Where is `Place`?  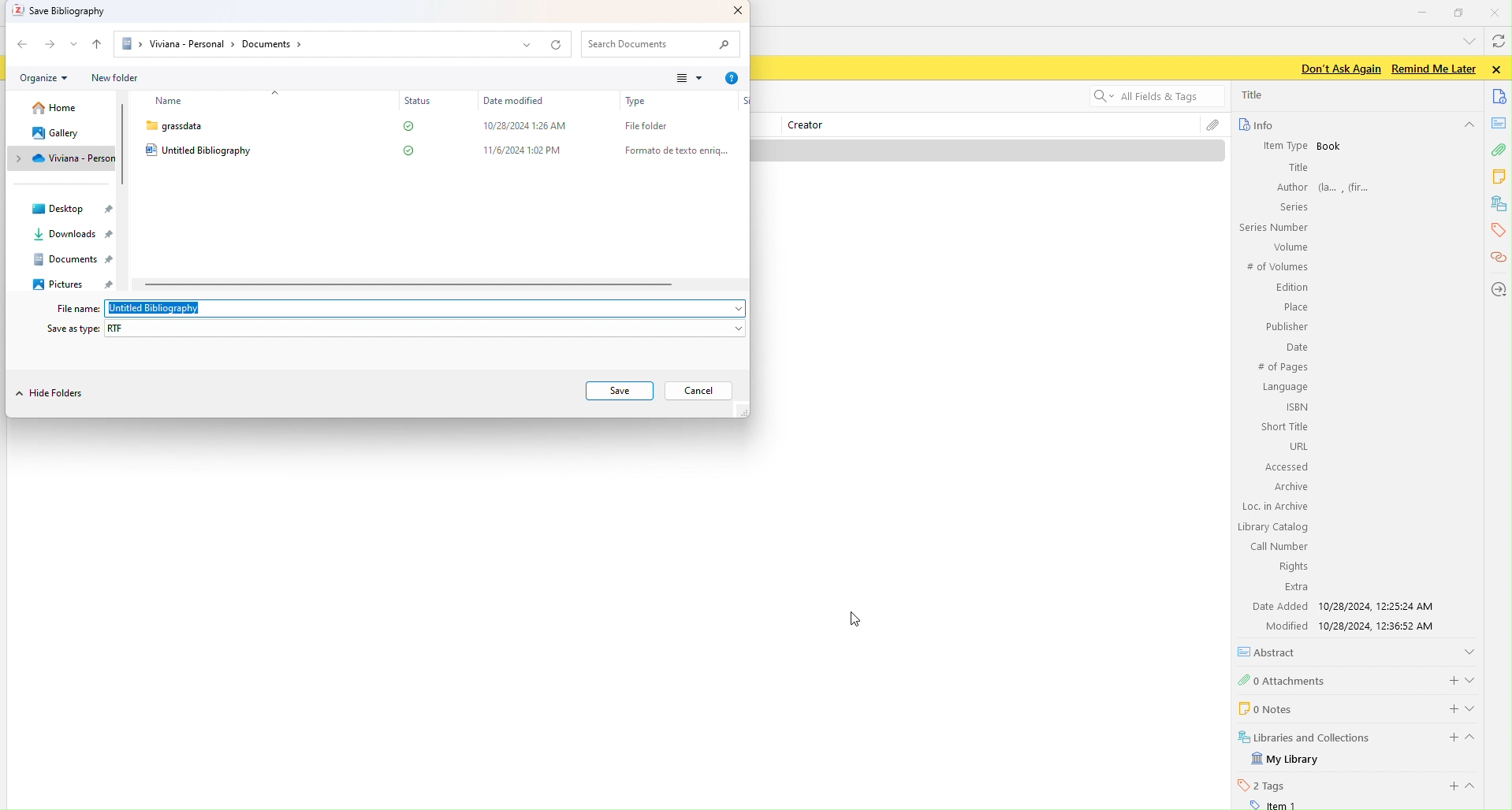
Place is located at coordinates (1294, 307).